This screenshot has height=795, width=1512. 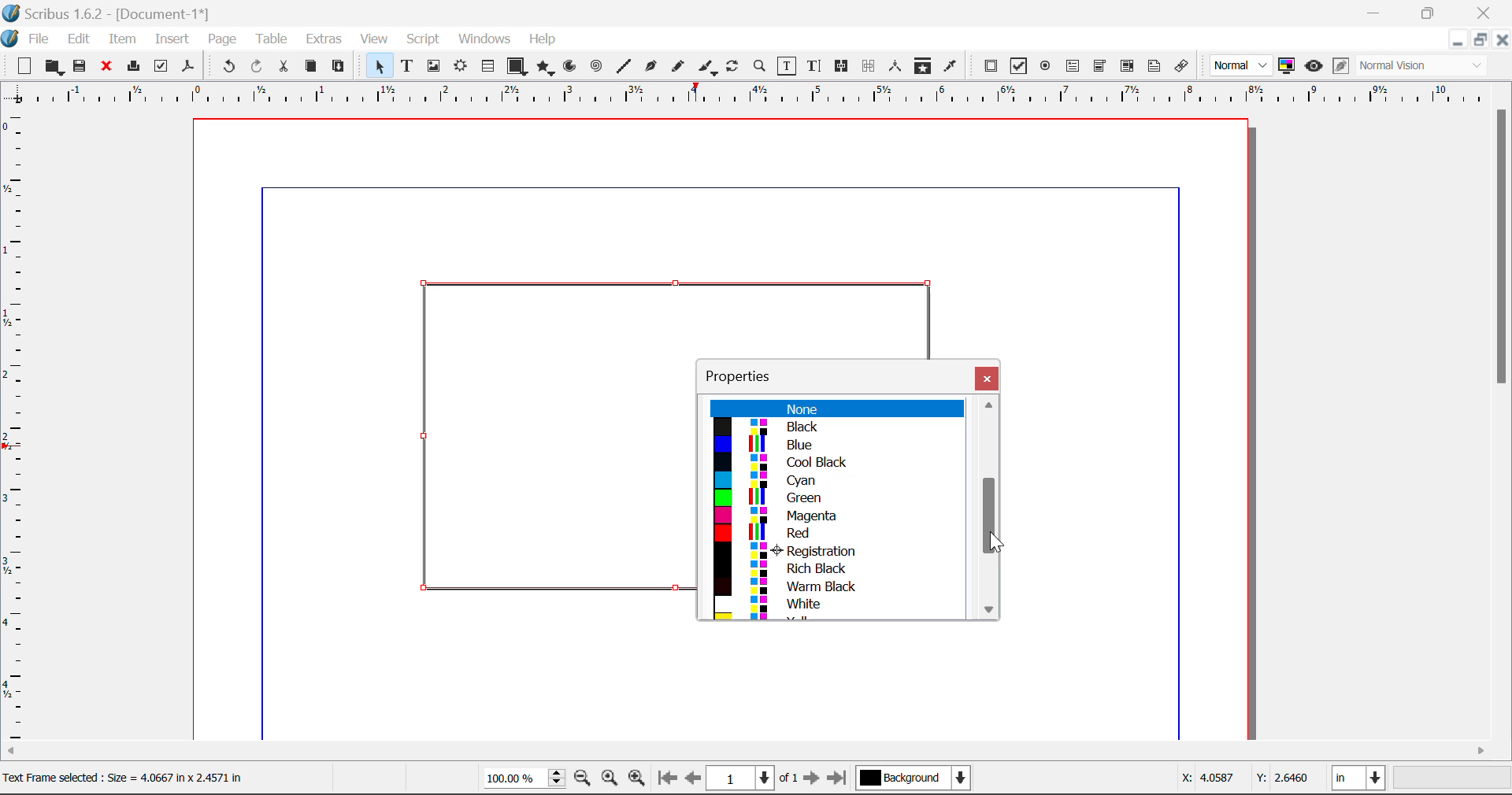 What do you see at coordinates (991, 519) in the screenshot?
I see `DRAG_TO Cursor Position` at bounding box center [991, 519].